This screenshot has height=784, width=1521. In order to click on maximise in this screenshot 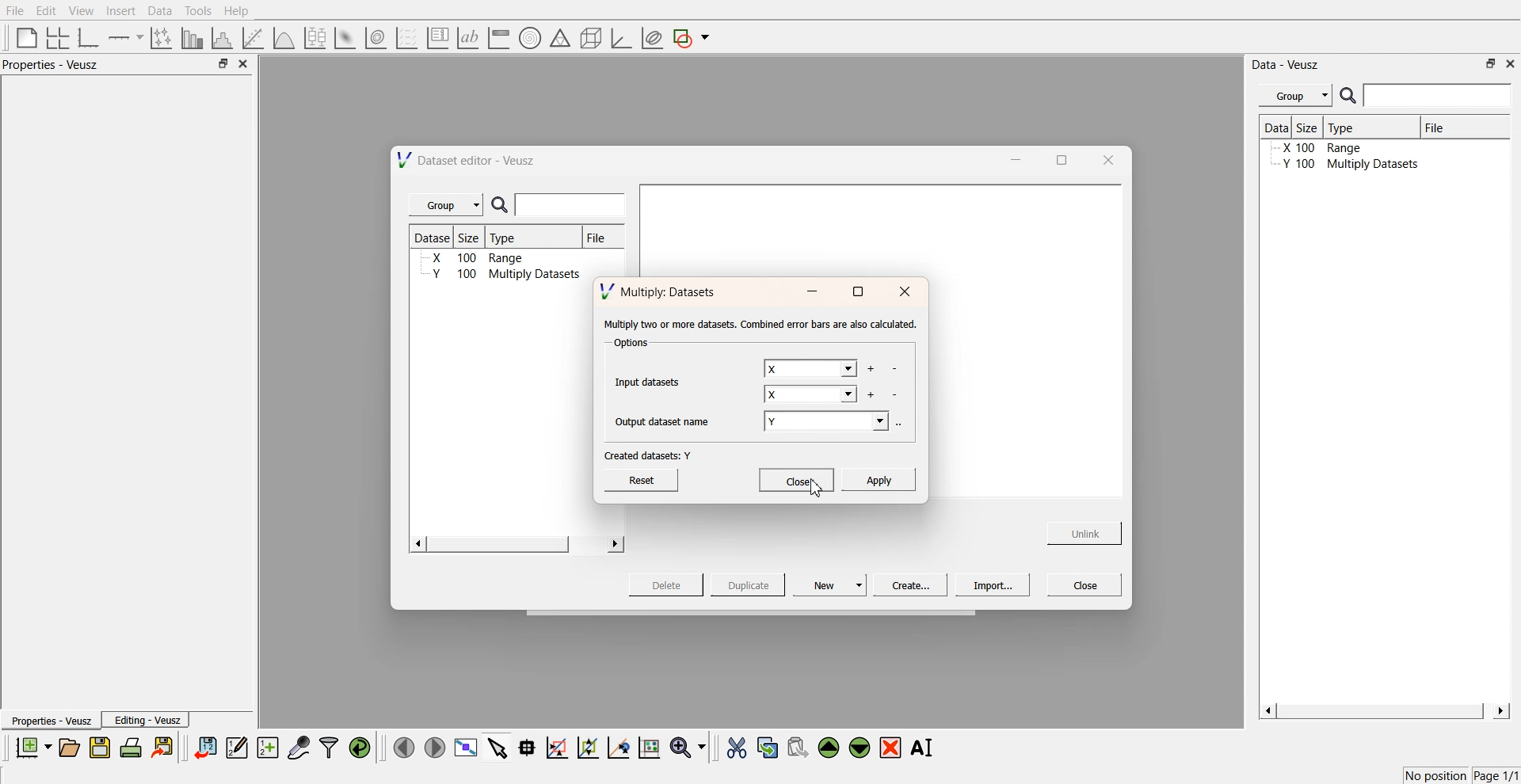, I will do `click(857, 292)`.